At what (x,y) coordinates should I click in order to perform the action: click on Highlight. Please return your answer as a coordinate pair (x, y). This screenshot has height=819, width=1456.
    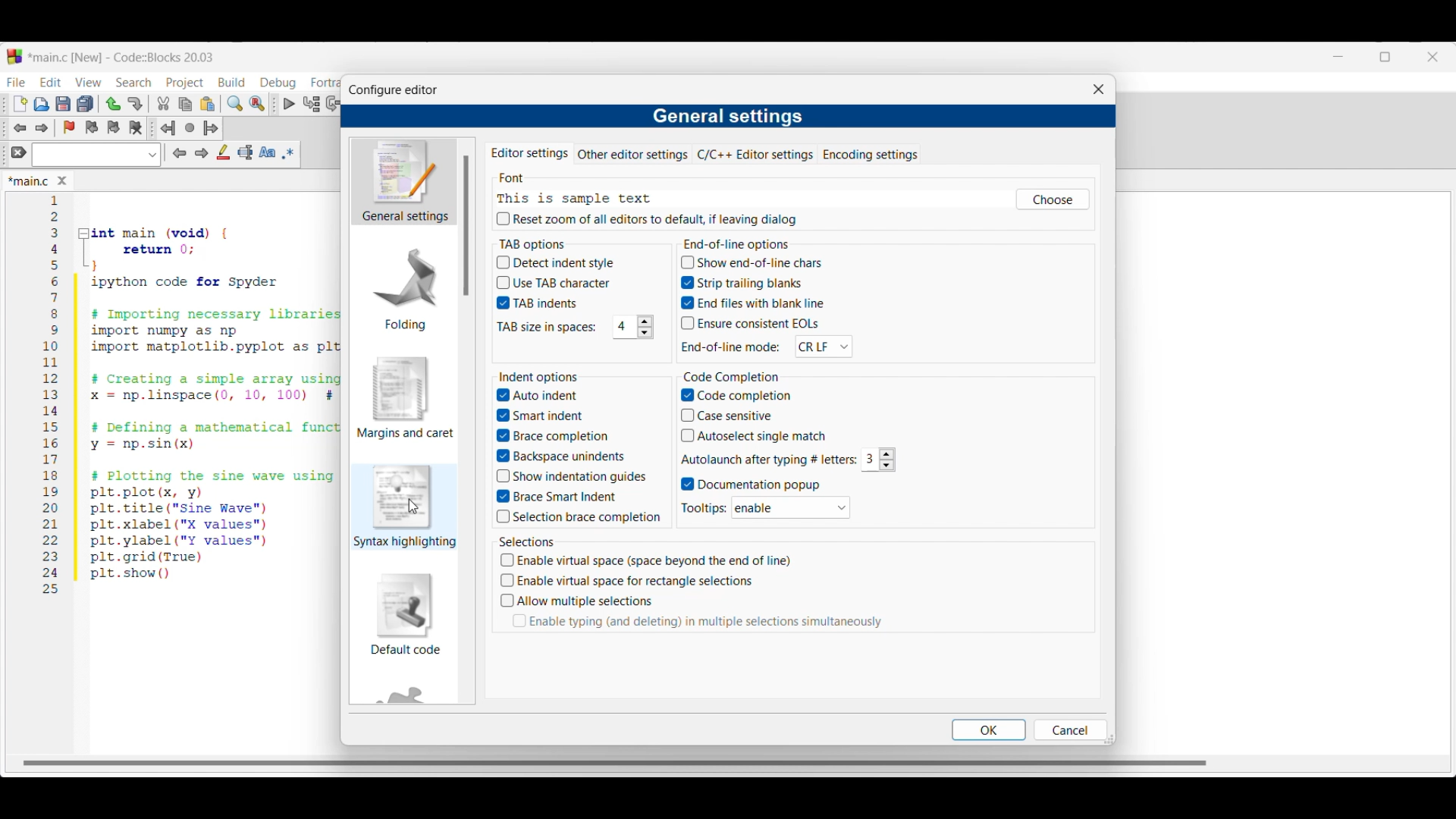
    Looking at the image, I should click on (223, 152).